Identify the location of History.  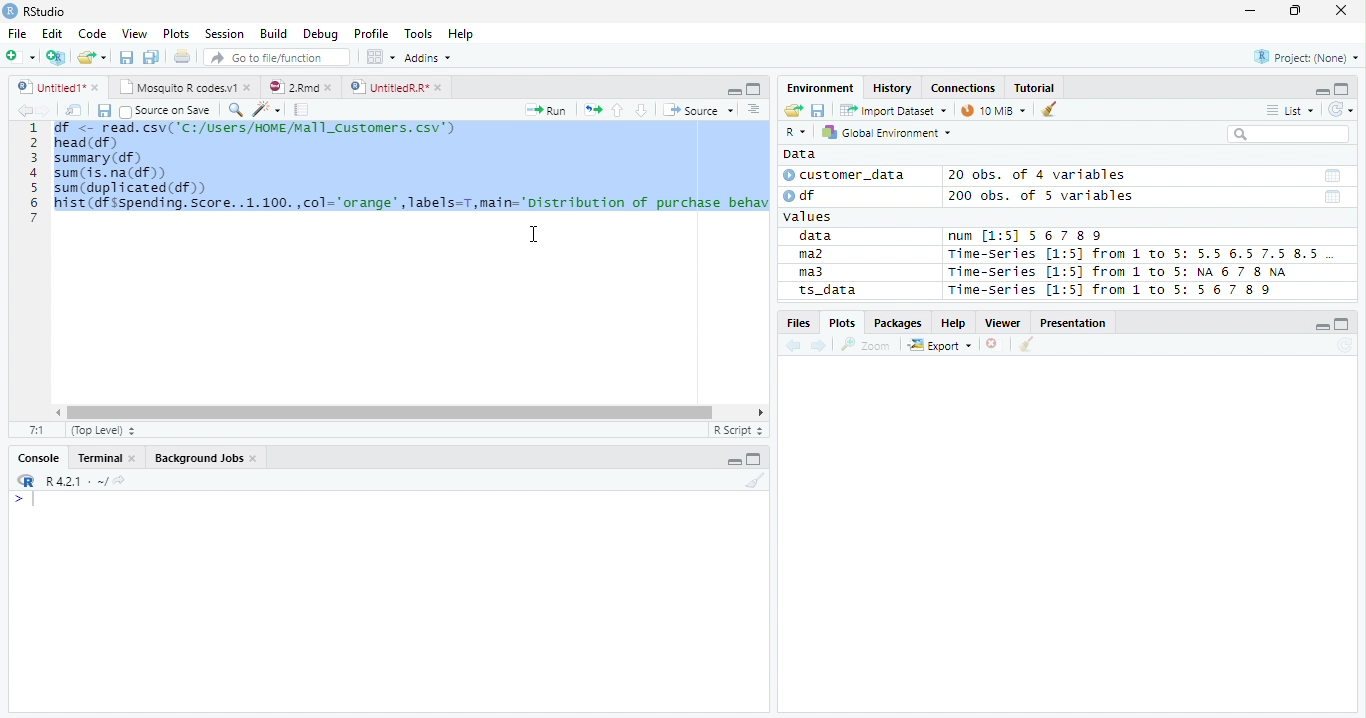
(894, 89).